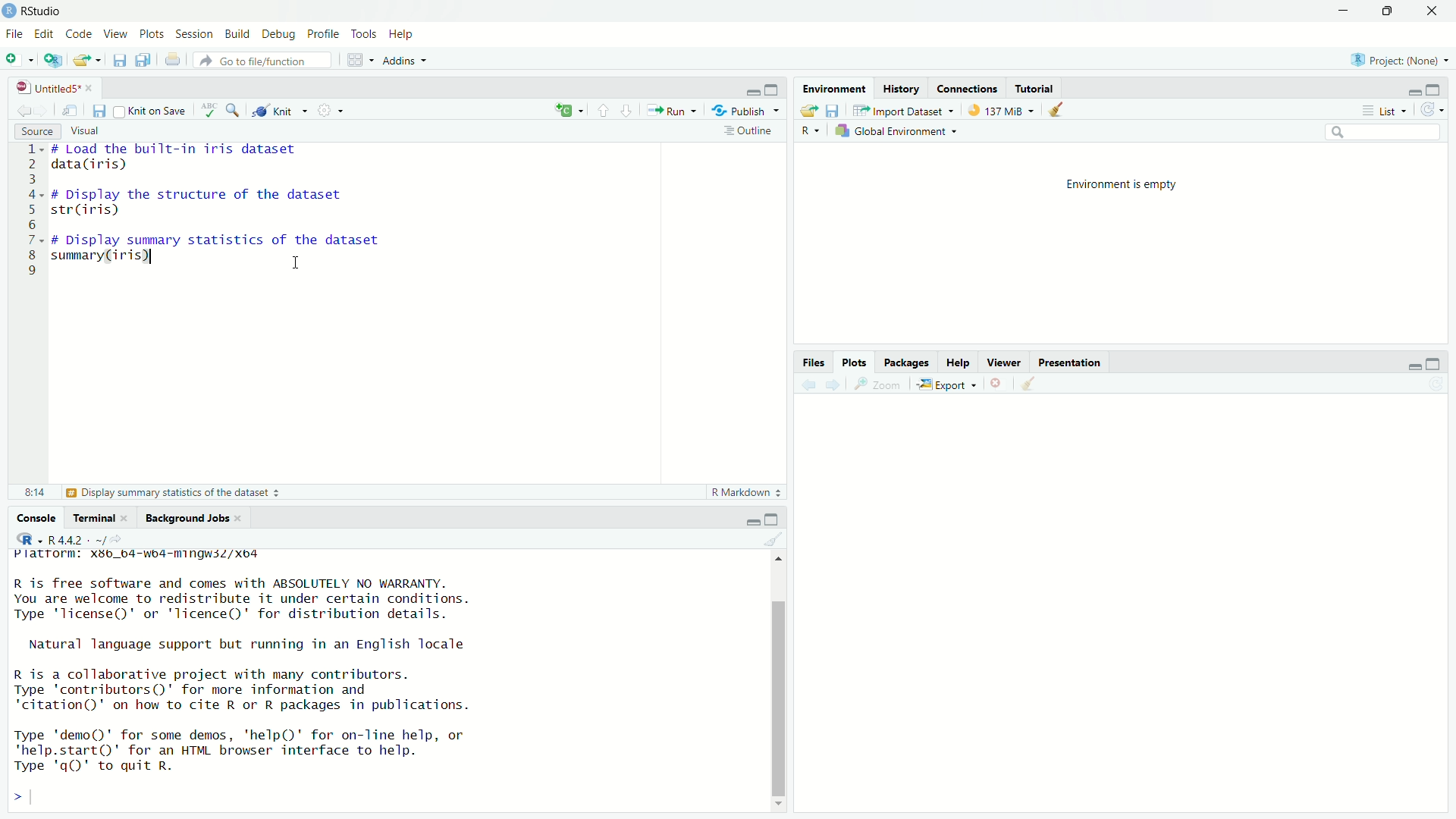  I want to click on Settings, so click(335, 110).